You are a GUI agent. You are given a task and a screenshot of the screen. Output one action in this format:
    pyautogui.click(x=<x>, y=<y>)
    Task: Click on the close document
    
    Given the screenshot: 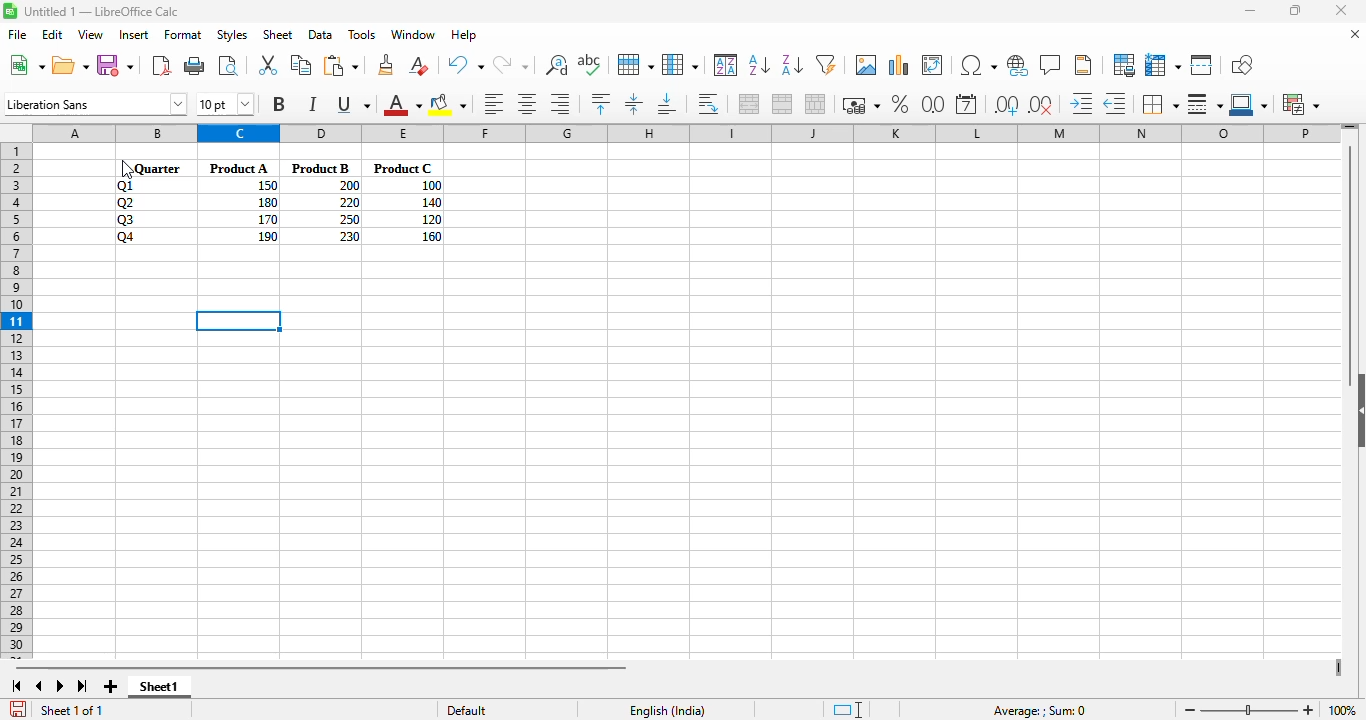 What is the action you would take?
    pyautogui.click(x=1356, y=33)
    